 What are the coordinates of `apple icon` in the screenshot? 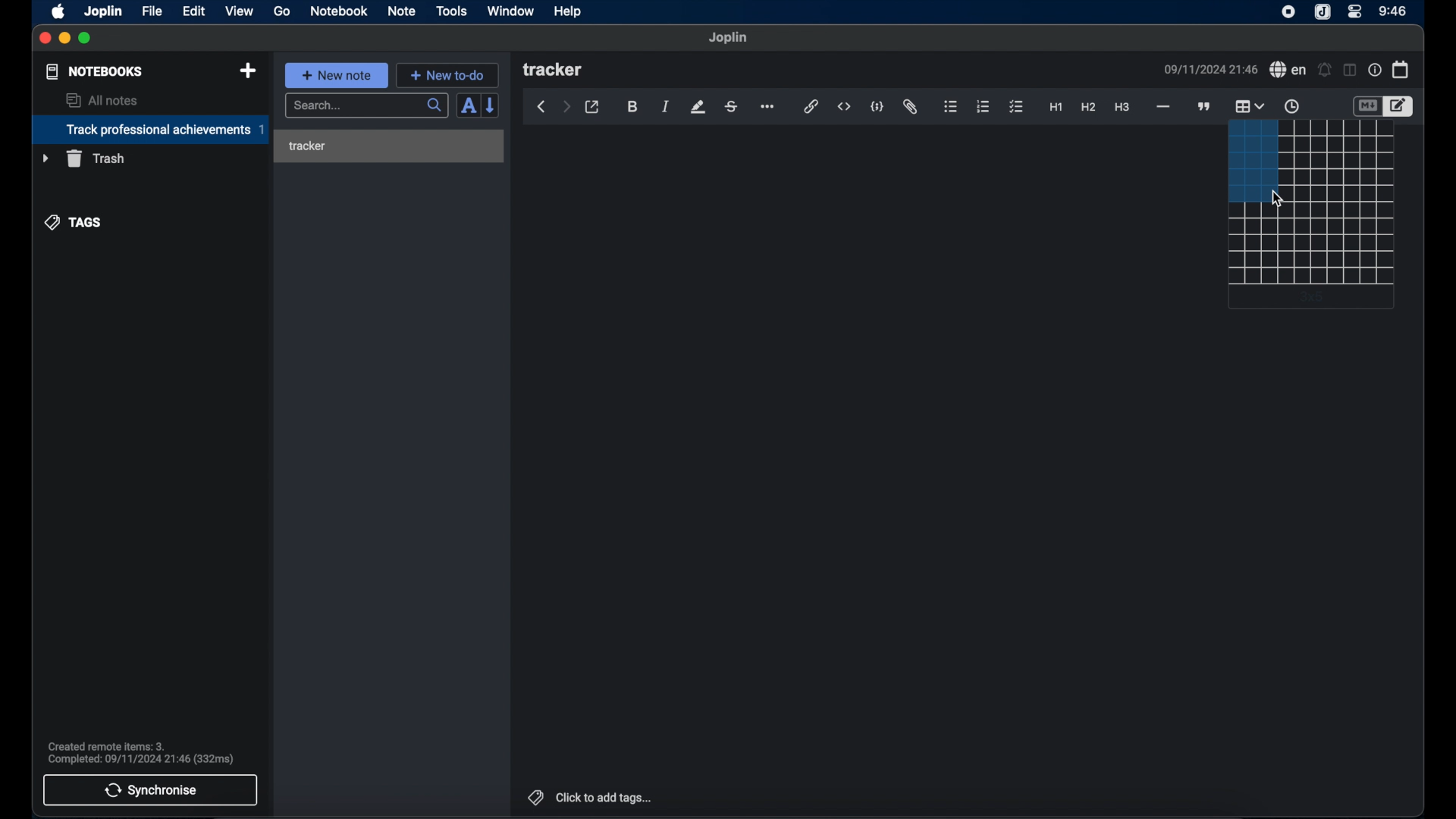 It's located at (59, 11).